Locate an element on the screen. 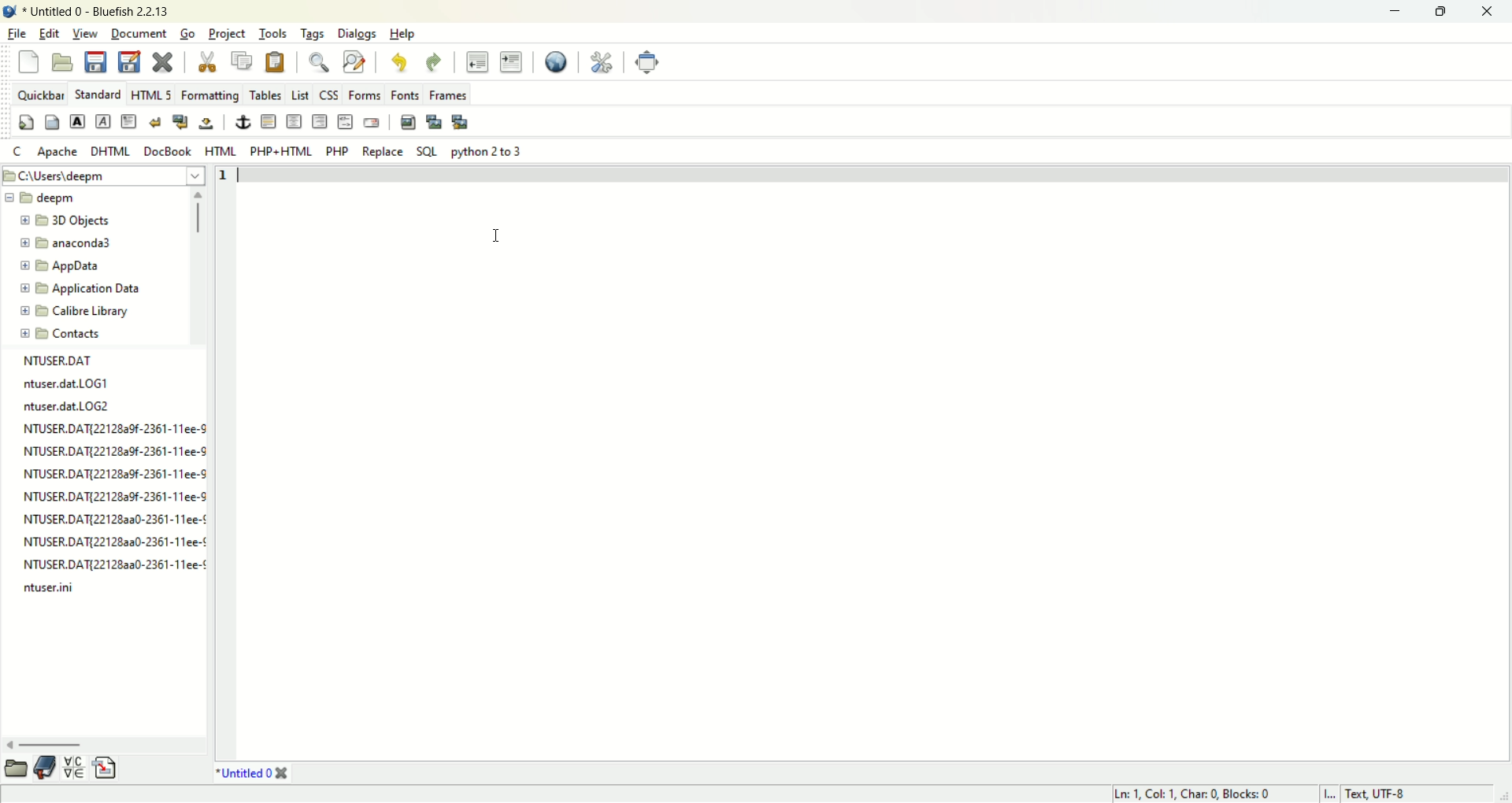 The height and width of the screenshot is (803, 1512). insert image is located at coordinates (405, 121).